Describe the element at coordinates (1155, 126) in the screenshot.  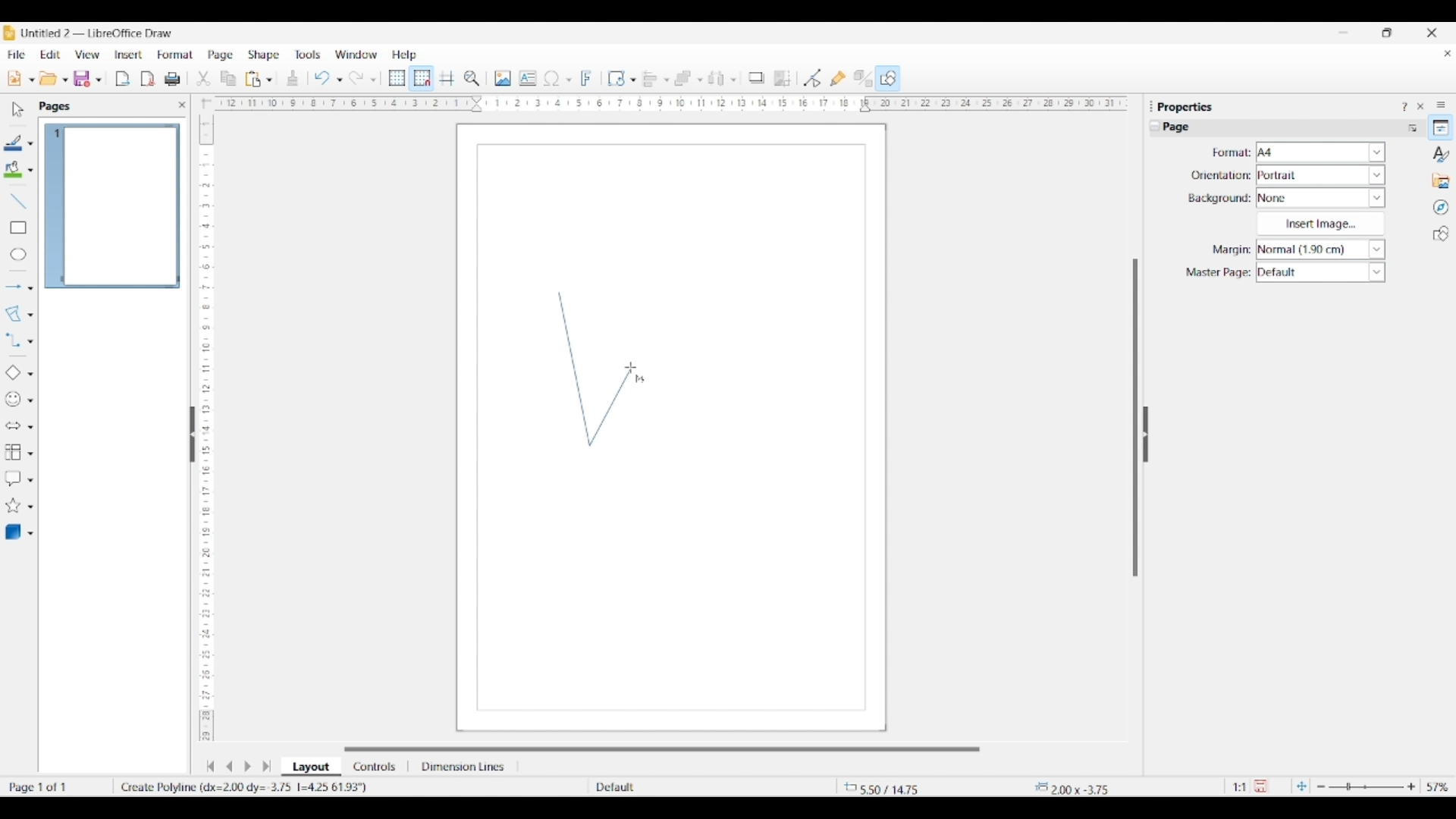
I see `Collapse page settings` at that location.